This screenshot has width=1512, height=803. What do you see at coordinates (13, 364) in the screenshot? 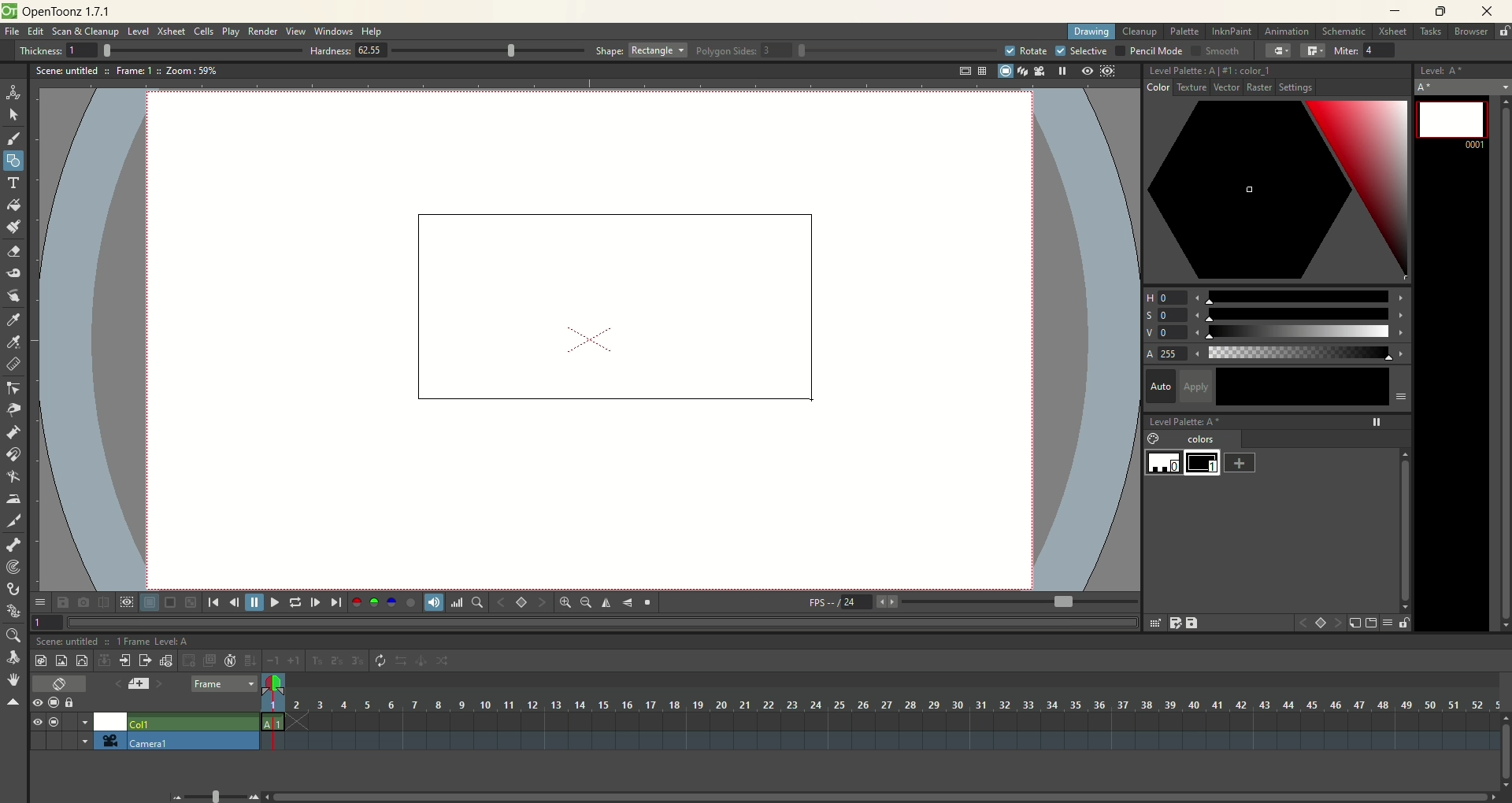
I see `ruler editor` at bounding box center [13, 364].